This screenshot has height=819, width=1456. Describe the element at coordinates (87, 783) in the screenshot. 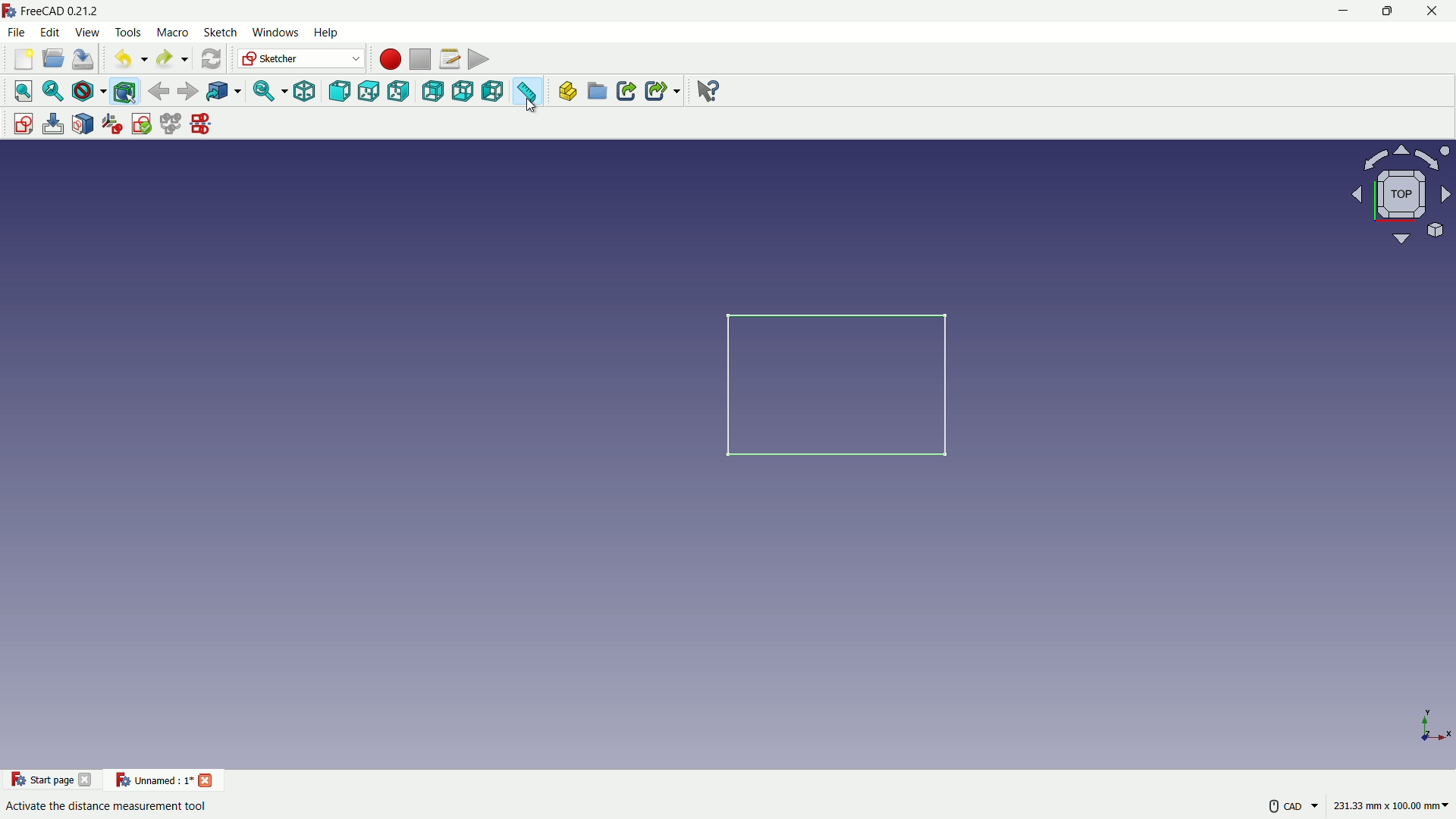

I see `close start page` at that location.